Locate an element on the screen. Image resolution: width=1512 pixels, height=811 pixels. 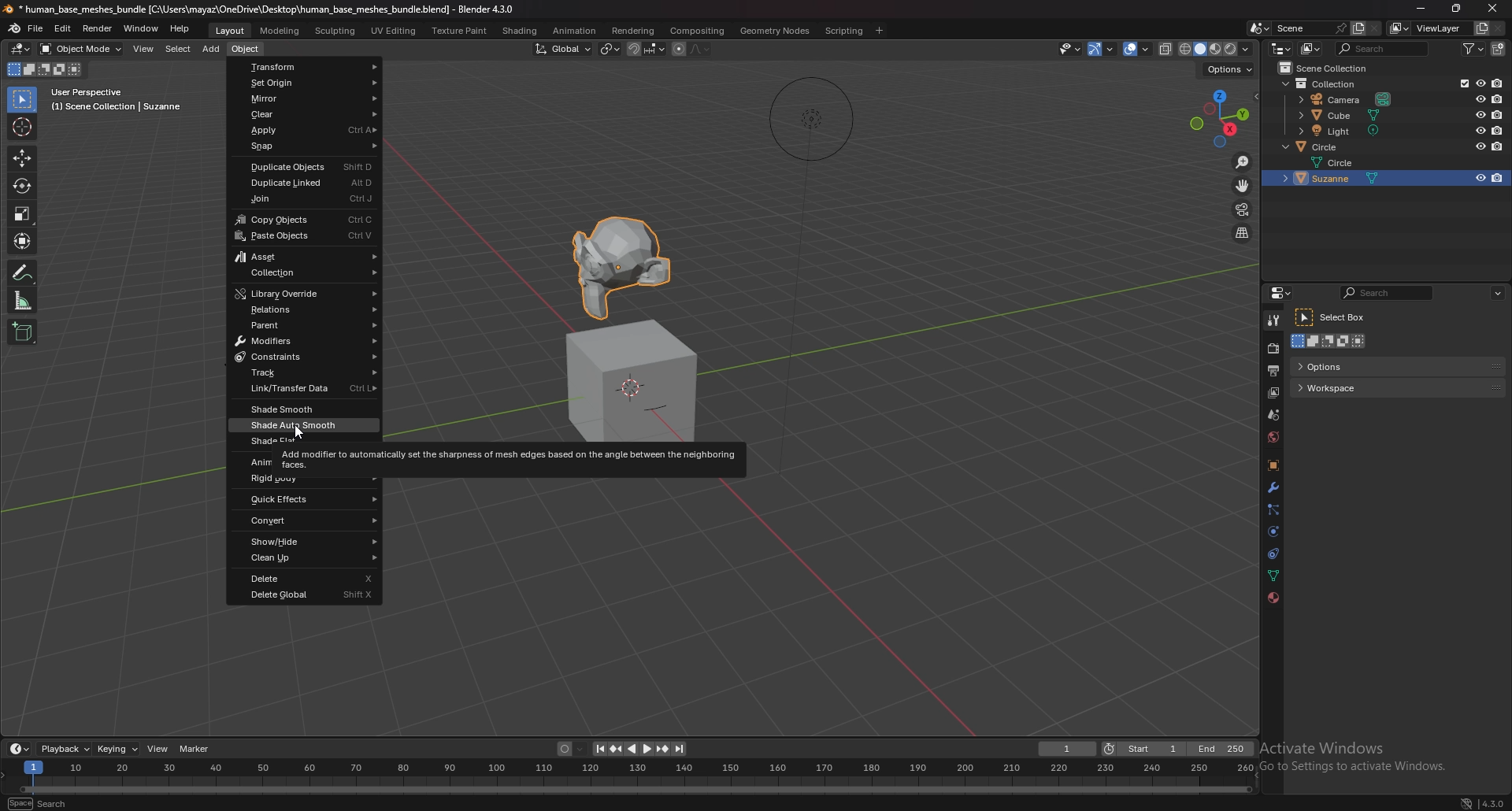
window is located at coordinates (142, 28).